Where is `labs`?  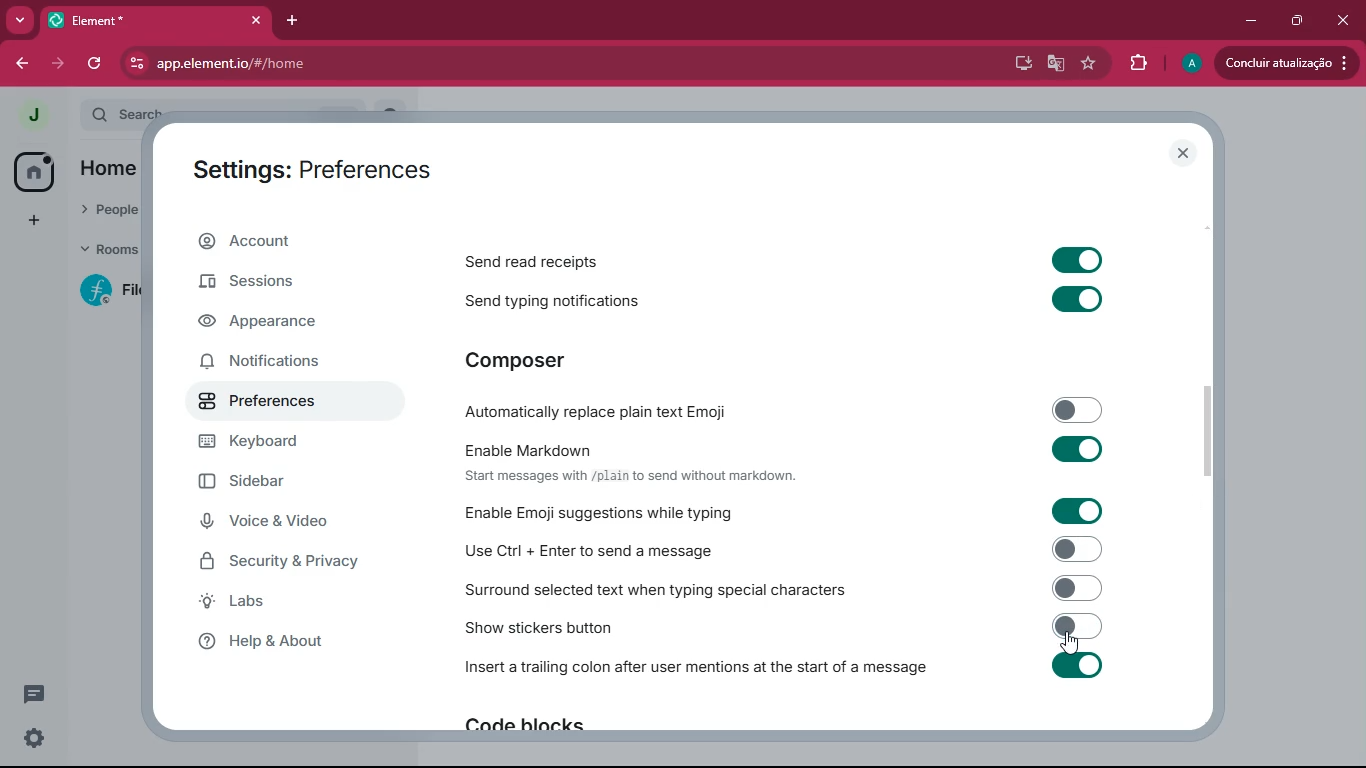
labs is located at coordinates (277, 604).